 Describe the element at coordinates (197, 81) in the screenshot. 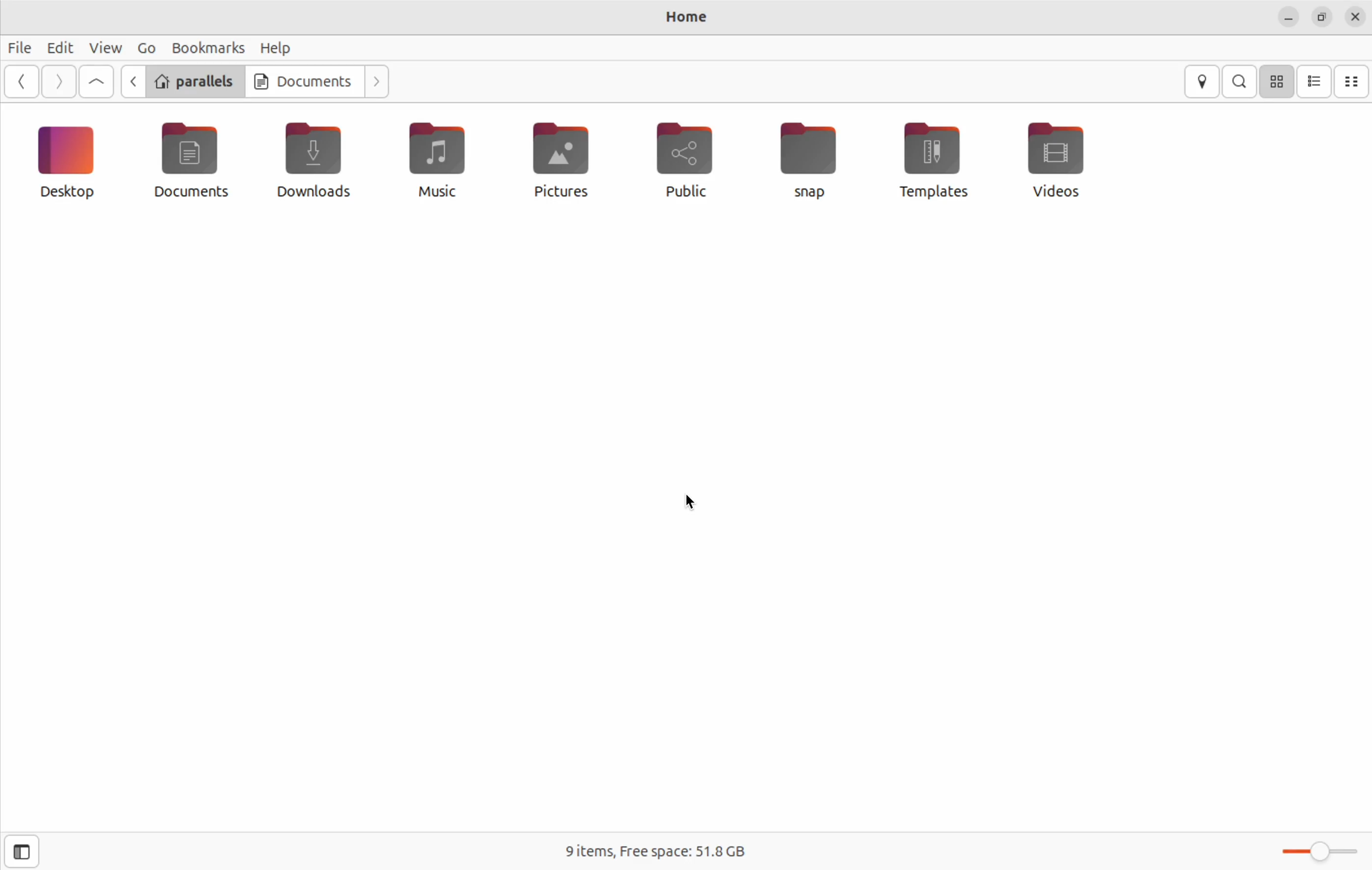

I see `parallels` at that location.